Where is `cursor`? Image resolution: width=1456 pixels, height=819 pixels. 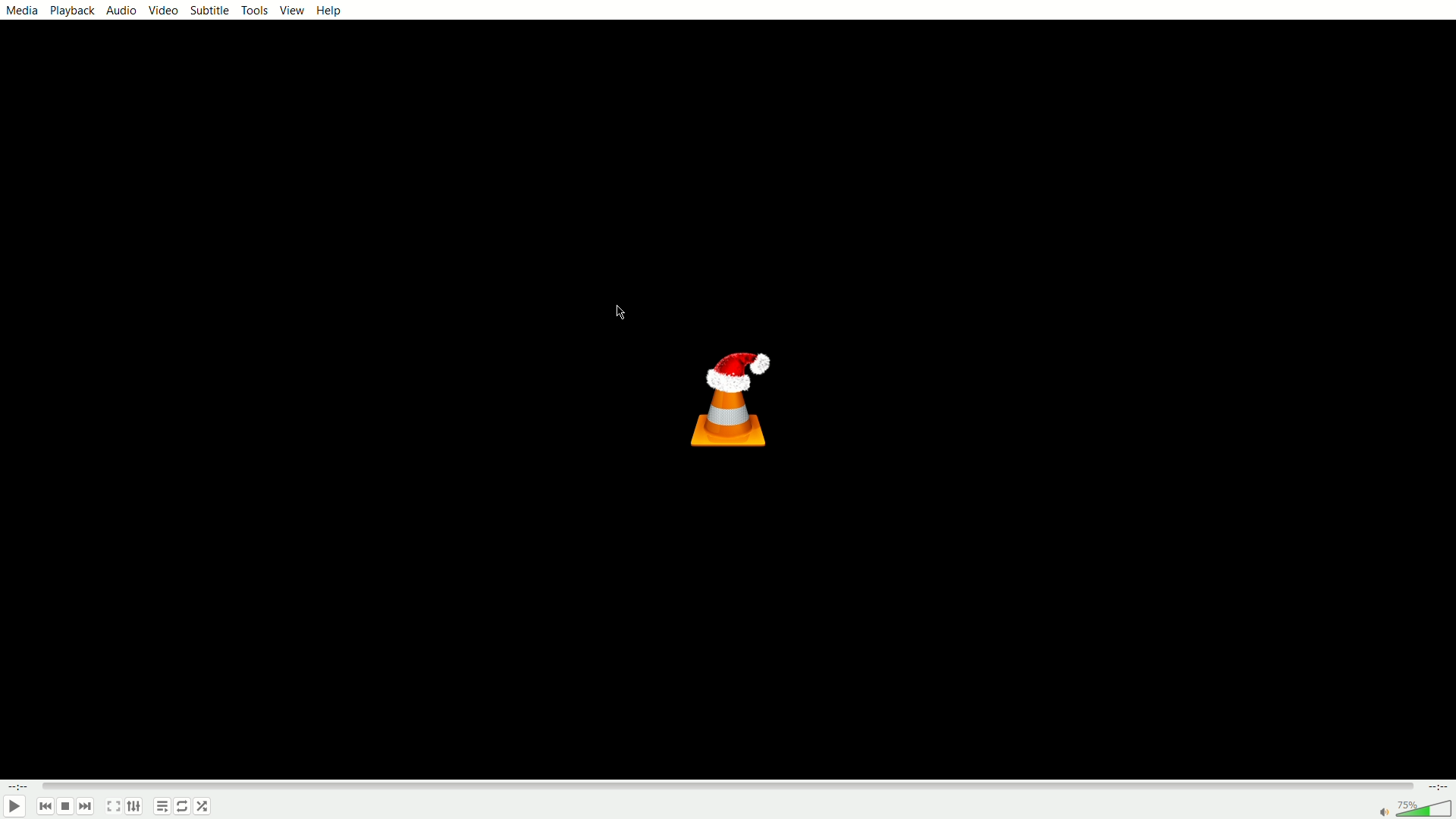
cursor is located at coordinates (625, 313).